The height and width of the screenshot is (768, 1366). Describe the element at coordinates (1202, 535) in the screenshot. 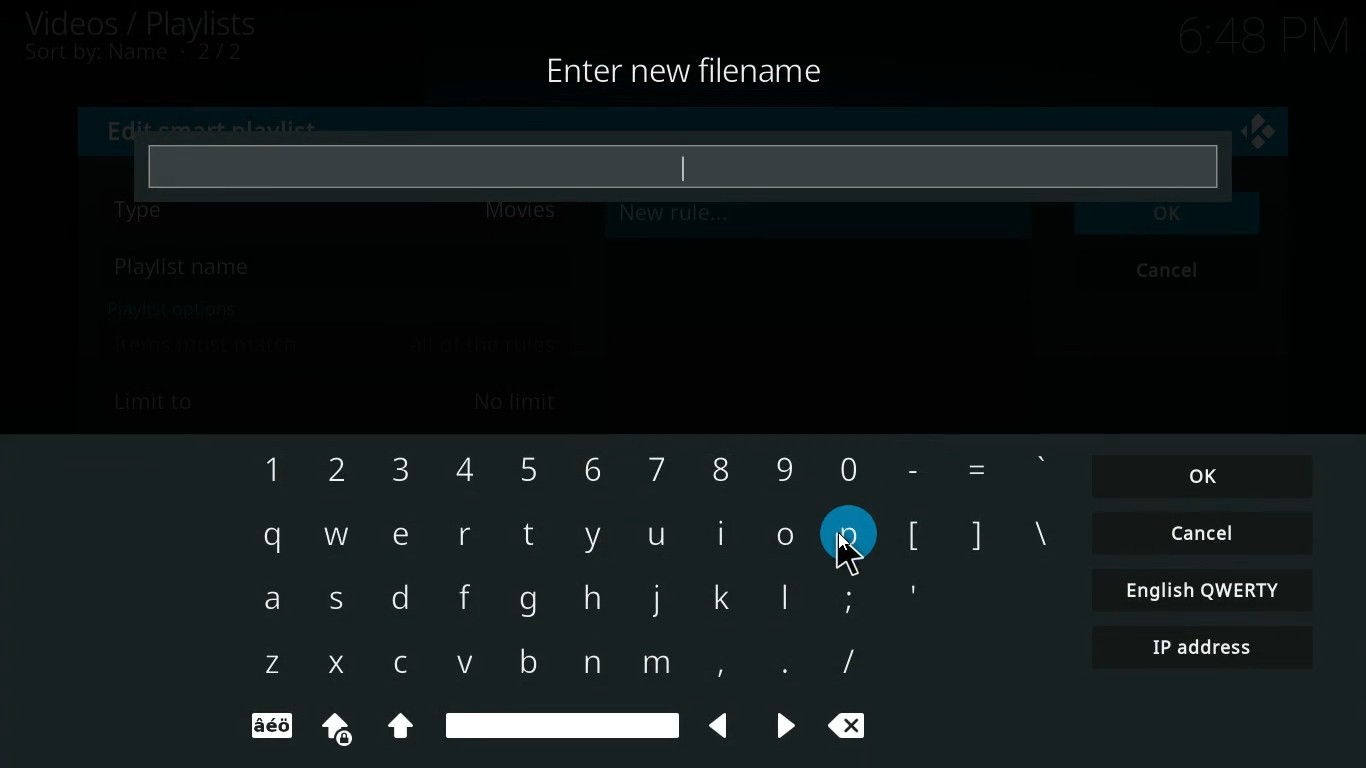

I see `cancel` at that location.